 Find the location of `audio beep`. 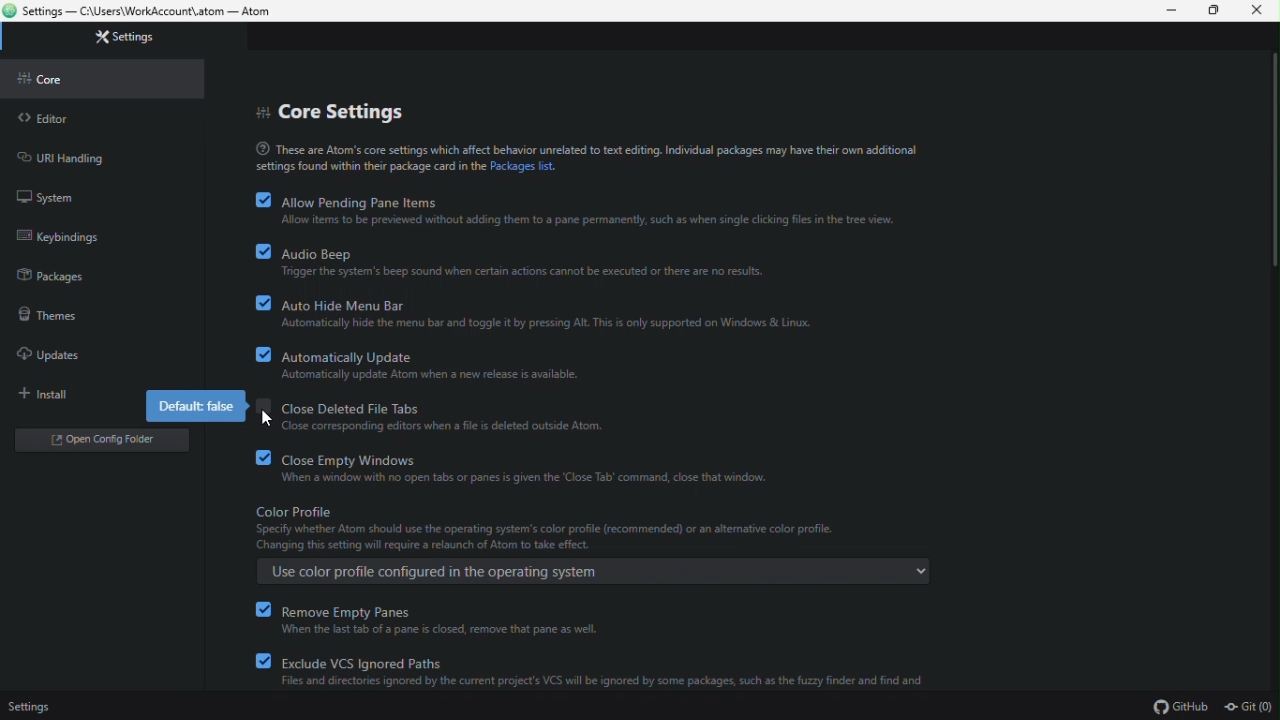

audio beep is located at coordinates (531, 262).